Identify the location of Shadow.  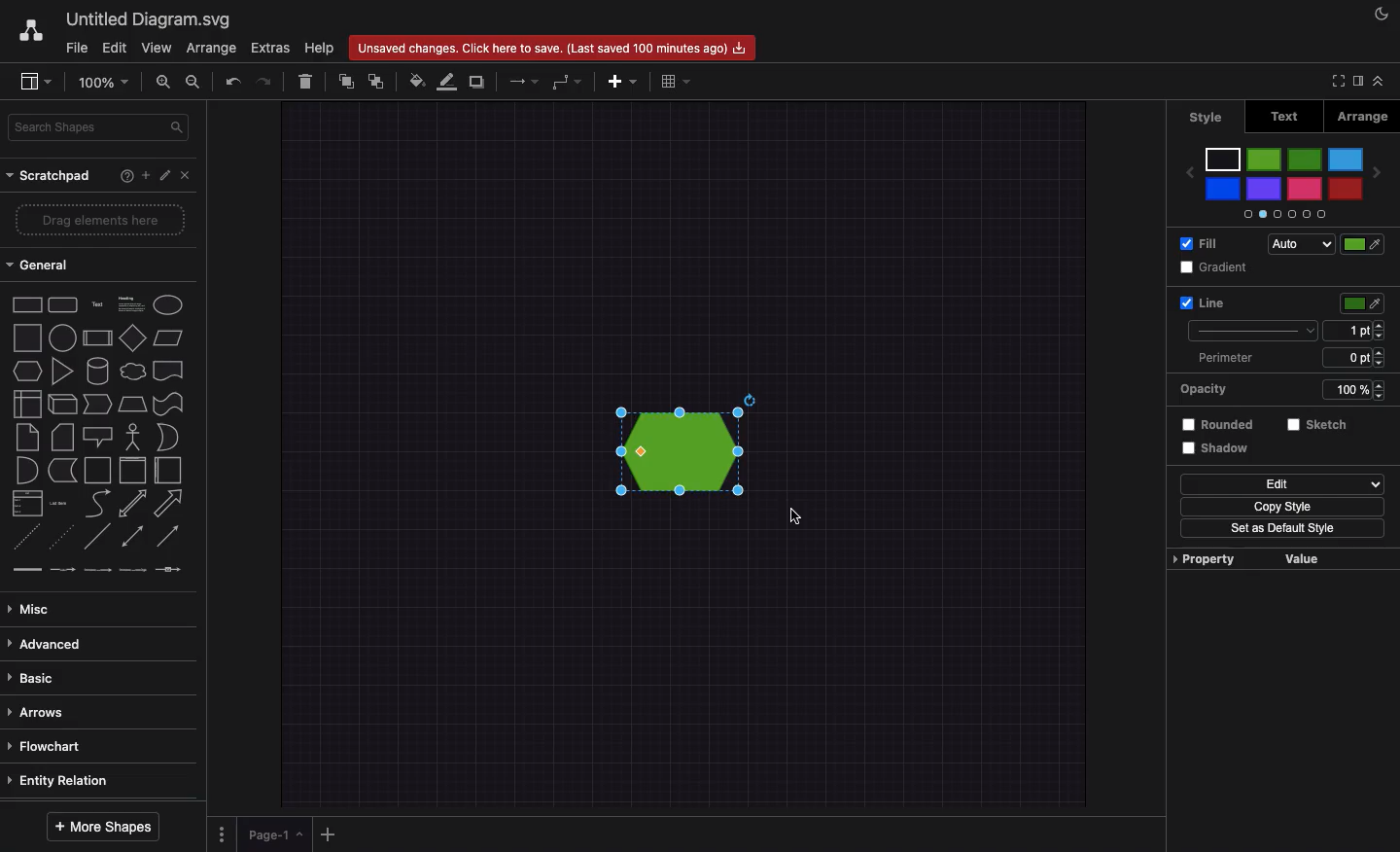
(1220, 448).